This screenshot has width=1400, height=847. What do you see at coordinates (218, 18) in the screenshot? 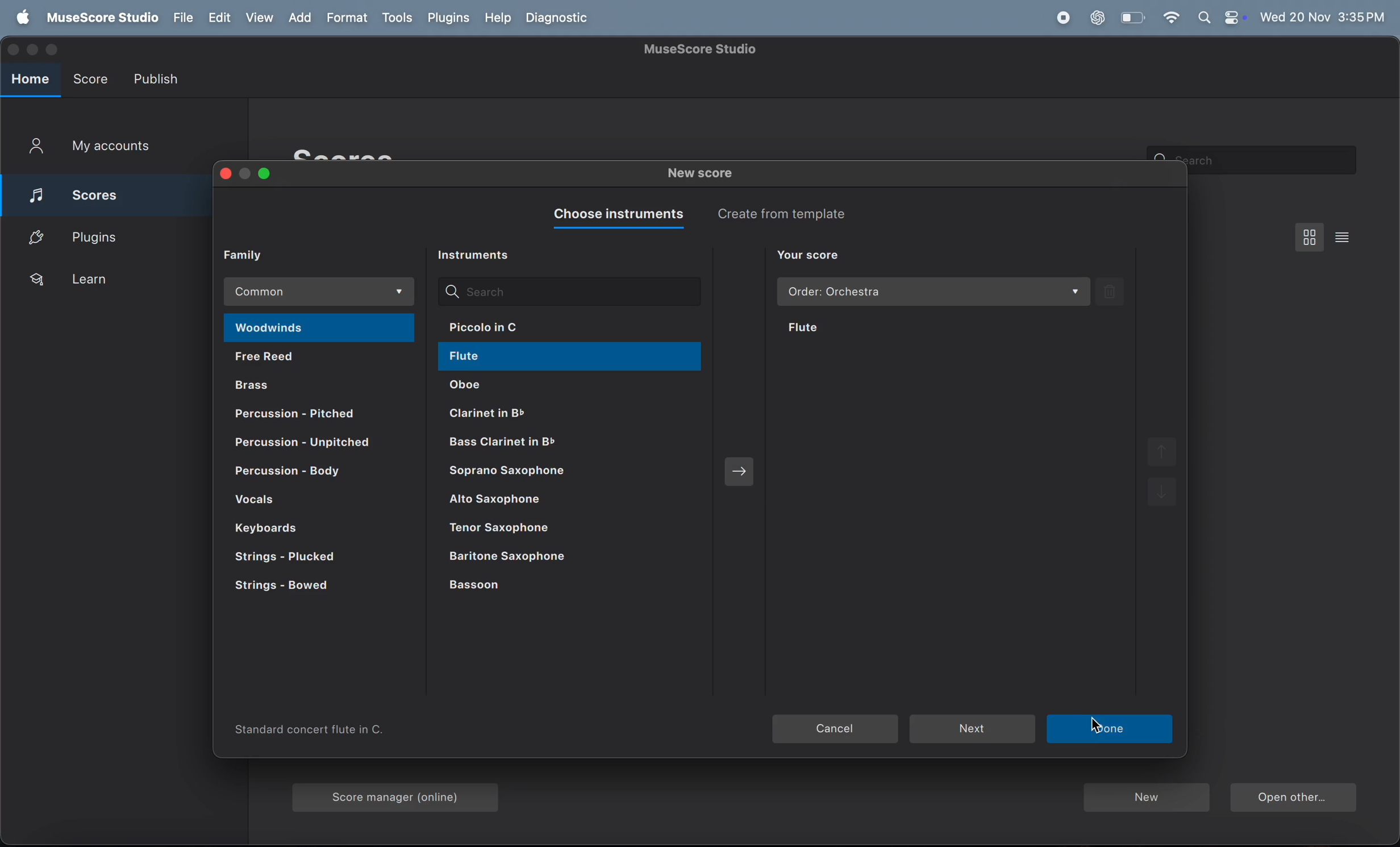
I see `edit` at bounding box center [218, 18].